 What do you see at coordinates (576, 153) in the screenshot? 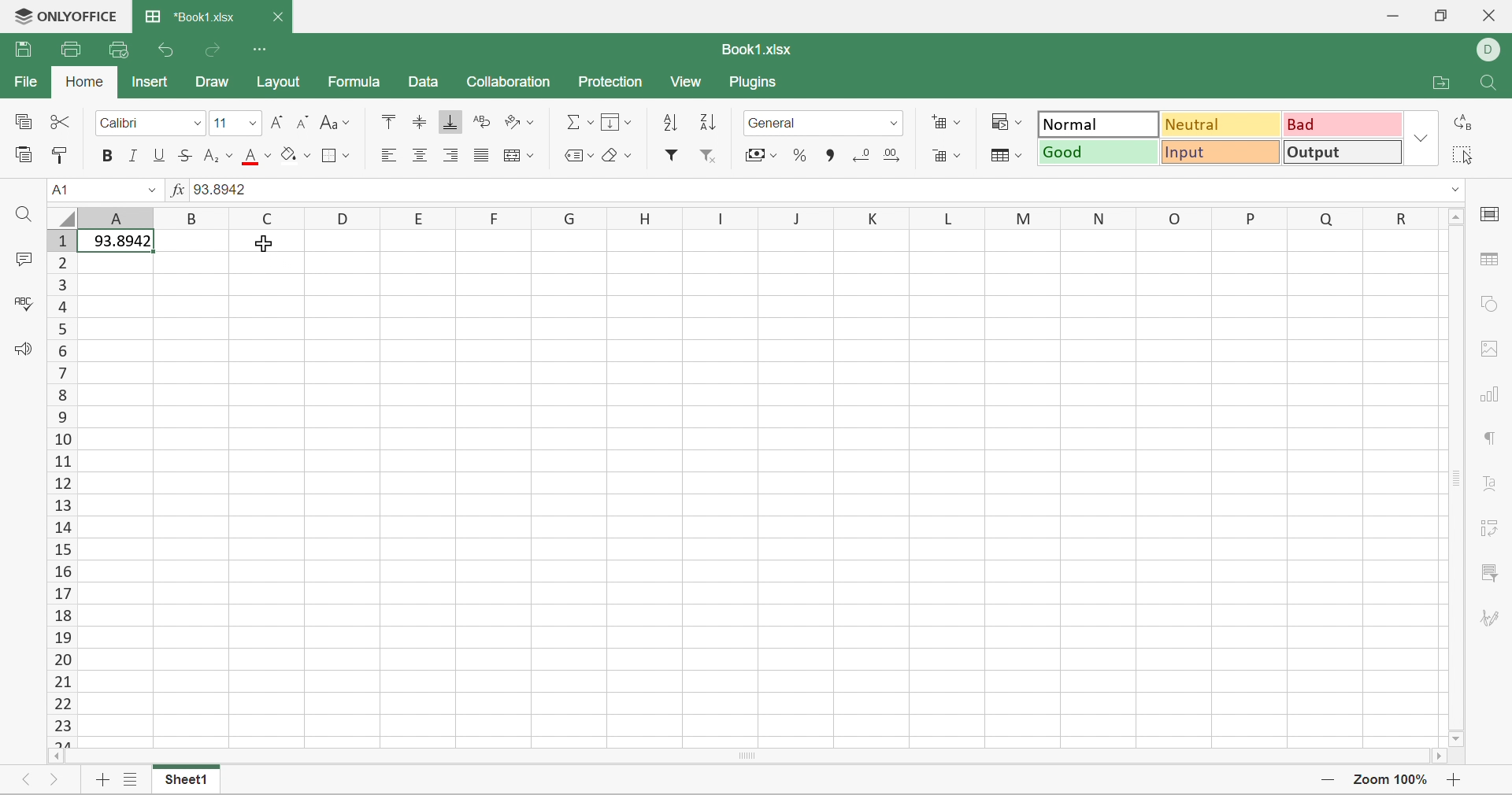
I see `Named ranges` at bounding box center [576, 153].